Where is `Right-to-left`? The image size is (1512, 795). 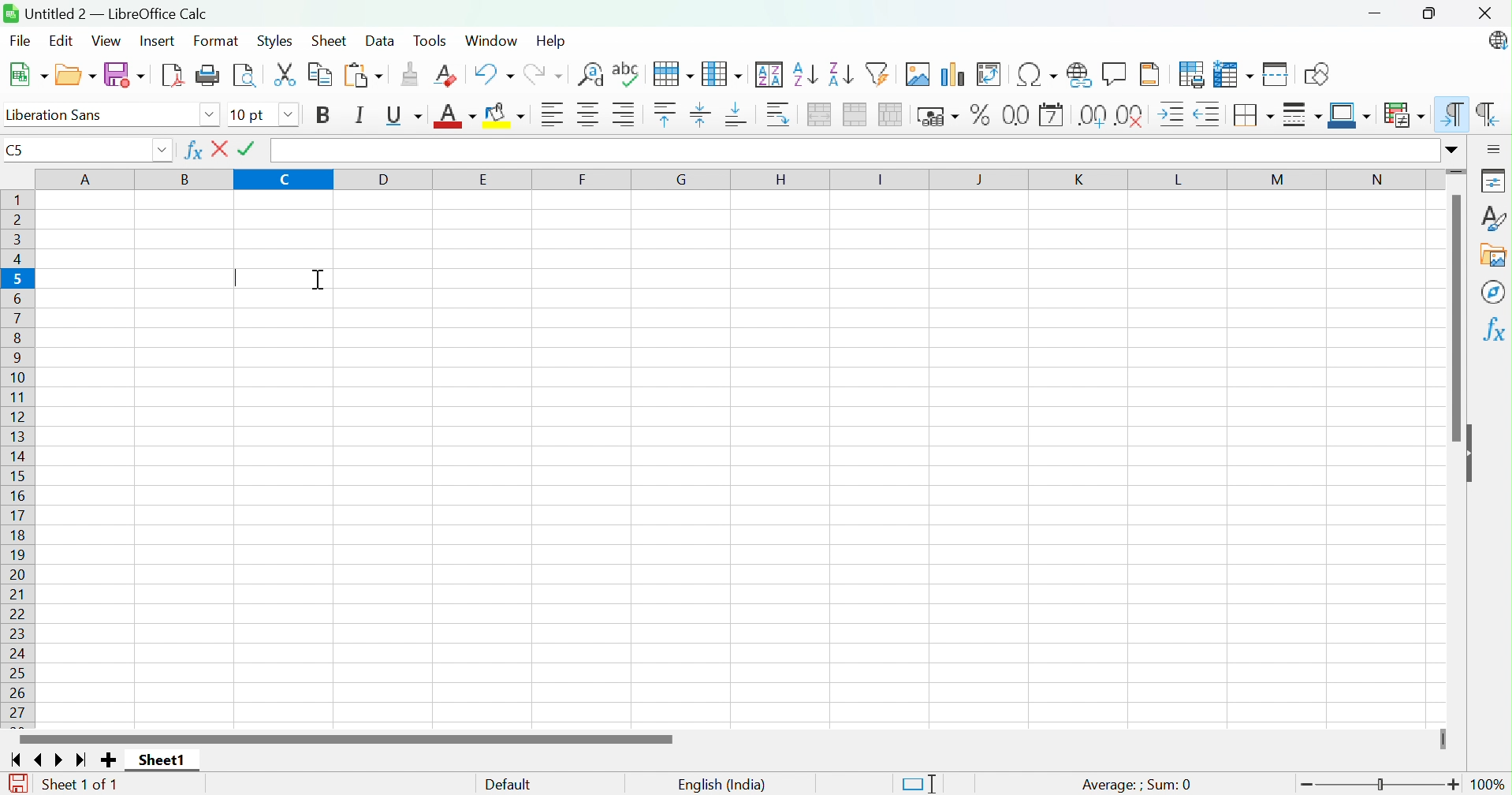
Right-to-left is located at coordinates (1488, 115).